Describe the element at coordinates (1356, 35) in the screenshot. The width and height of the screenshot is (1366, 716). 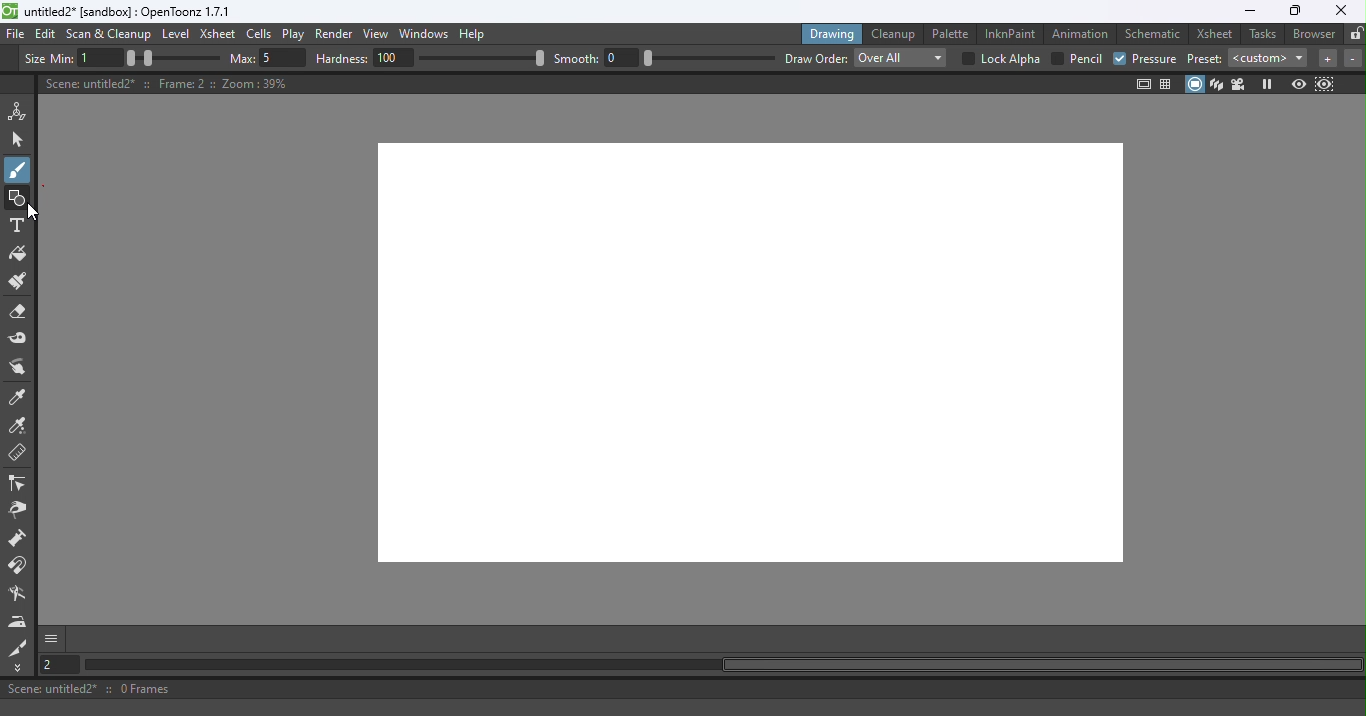
I see `Lock rooms tab` at that location.